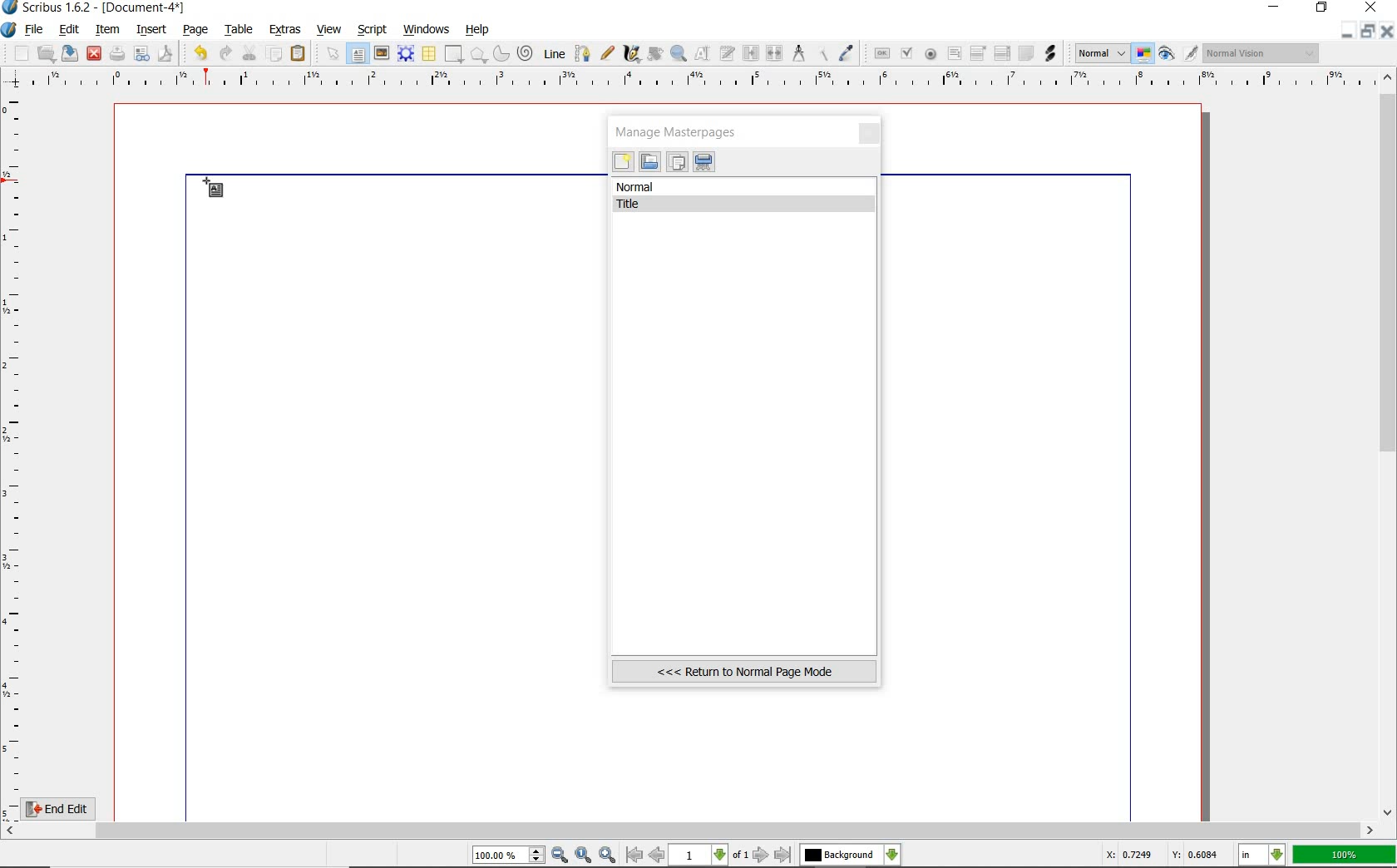  Describe the element at coordinates (382, 53) in the screenshot. I see `image frame` at that location.